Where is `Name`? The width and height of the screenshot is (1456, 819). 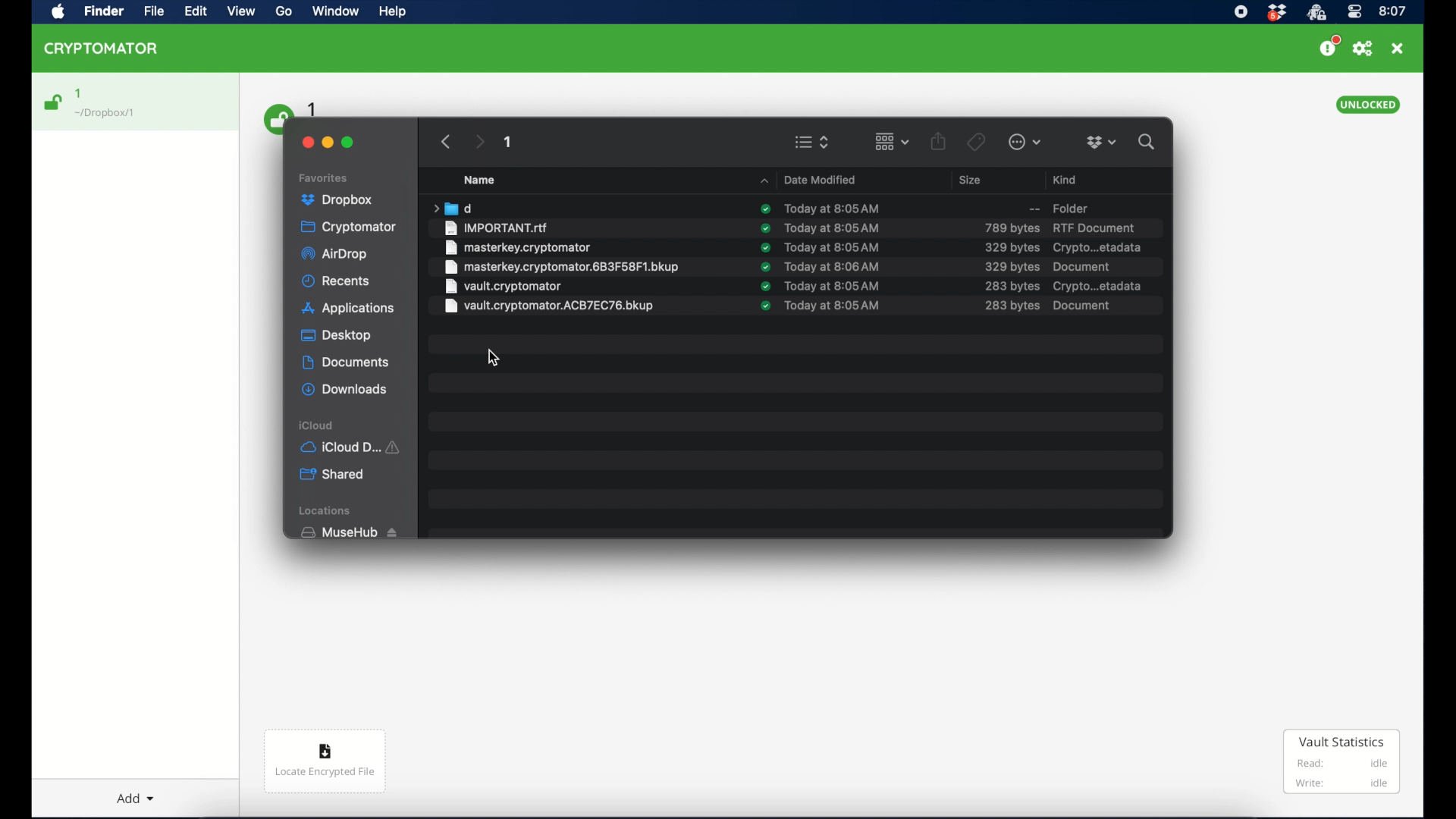 Name is located at coordinates (488, 180).